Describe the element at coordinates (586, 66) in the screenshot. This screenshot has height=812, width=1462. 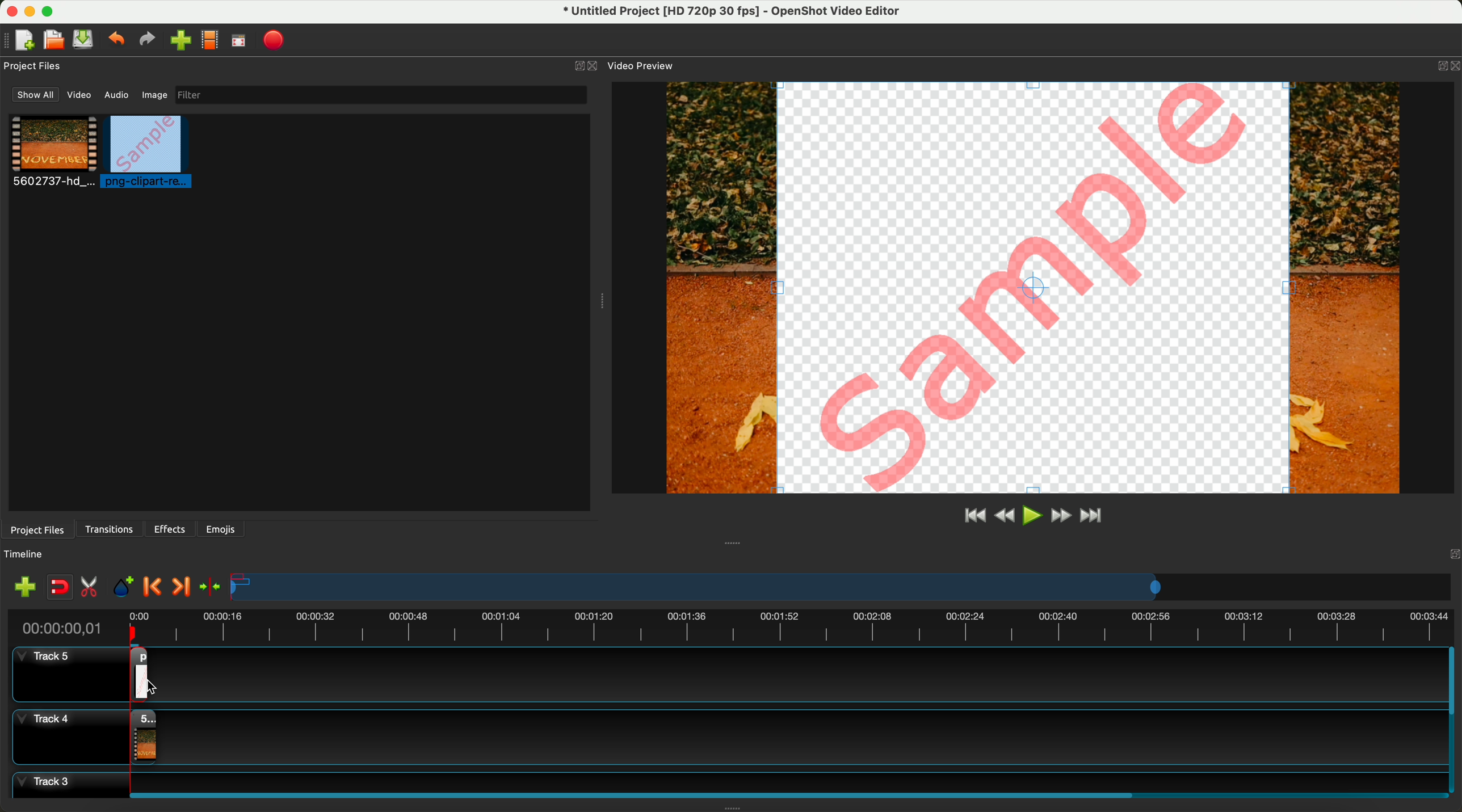
I see `close` at that location.